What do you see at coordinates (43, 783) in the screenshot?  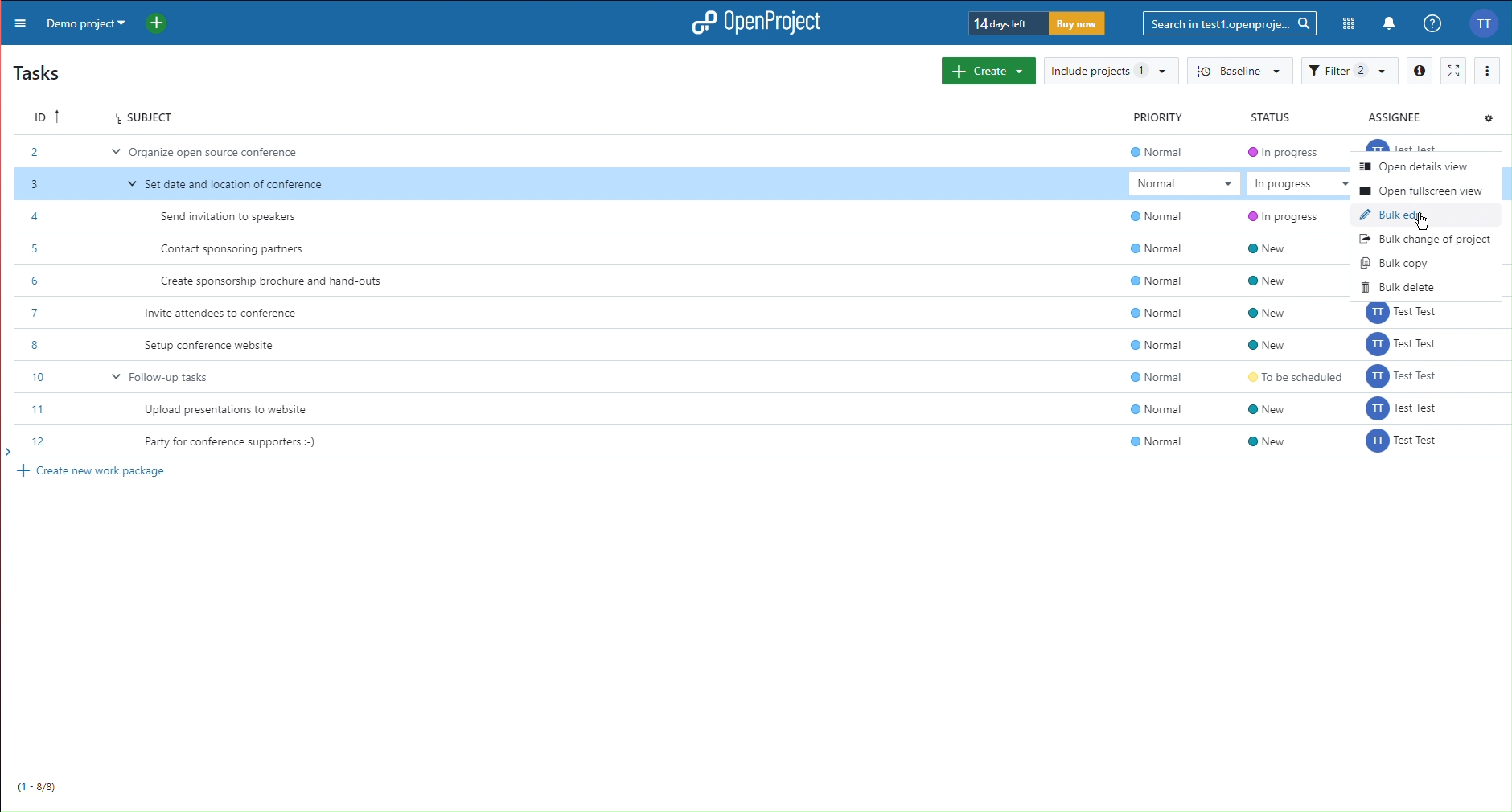 I see `1-8/8)` at bounding box center [43, 783].